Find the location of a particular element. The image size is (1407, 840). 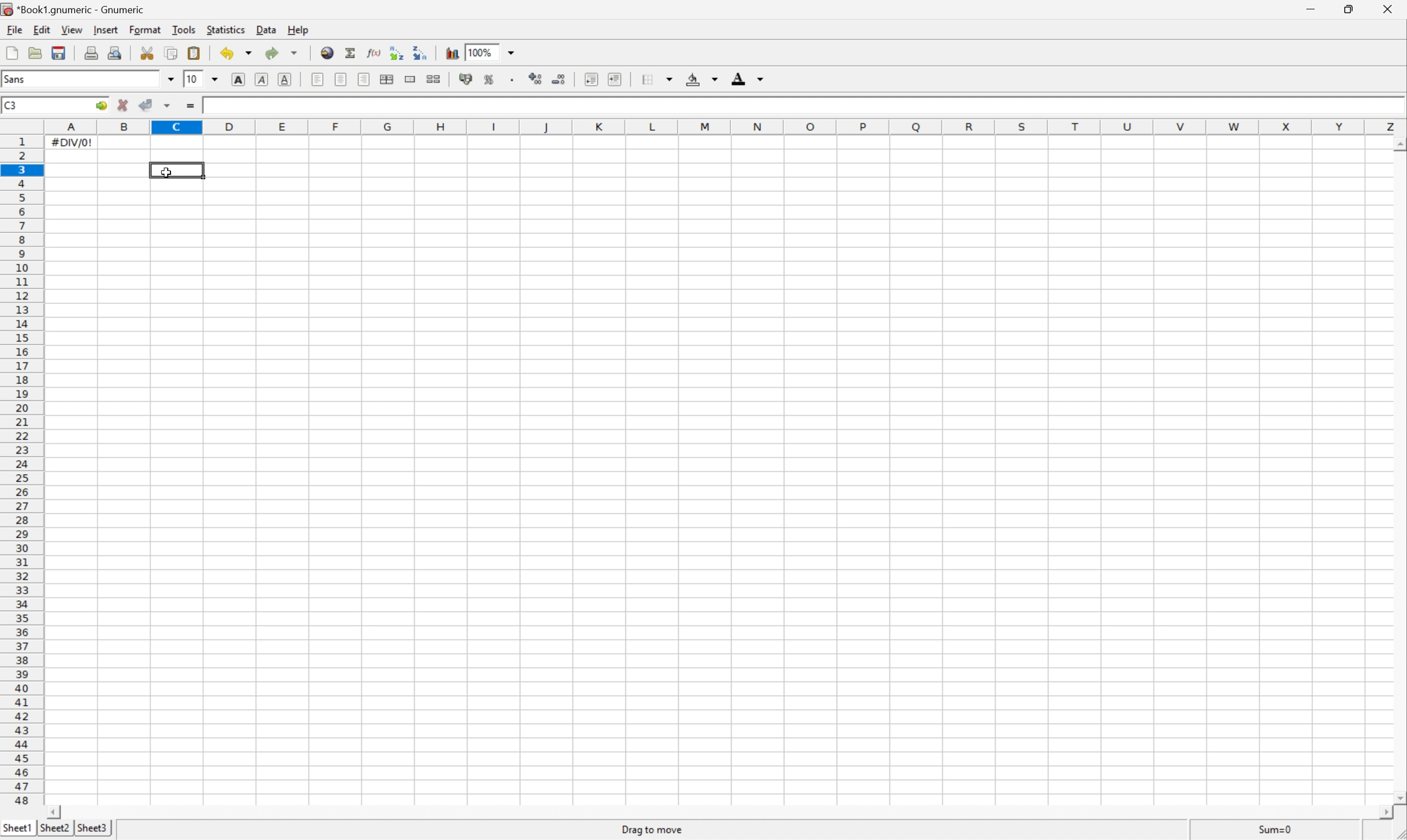

Format the selection as accounting is located at coordinates (465, 79).